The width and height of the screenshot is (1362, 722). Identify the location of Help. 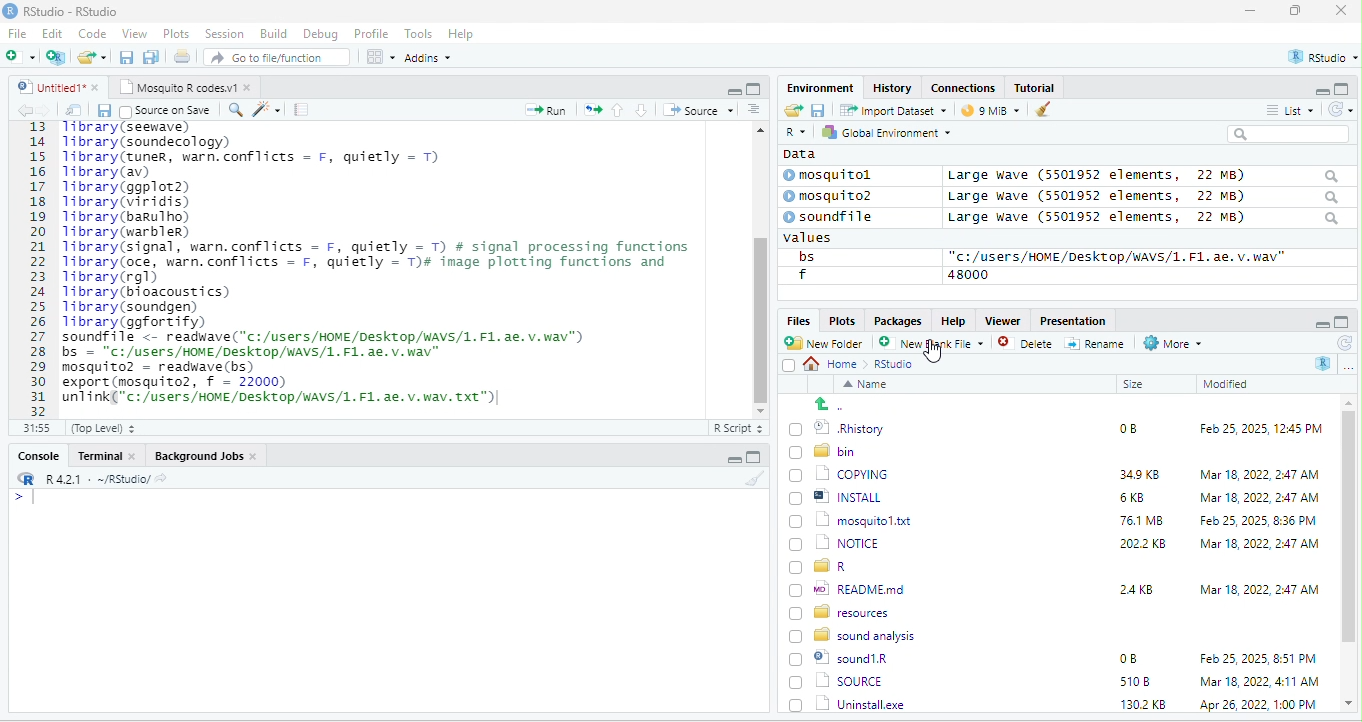
(462, 35).